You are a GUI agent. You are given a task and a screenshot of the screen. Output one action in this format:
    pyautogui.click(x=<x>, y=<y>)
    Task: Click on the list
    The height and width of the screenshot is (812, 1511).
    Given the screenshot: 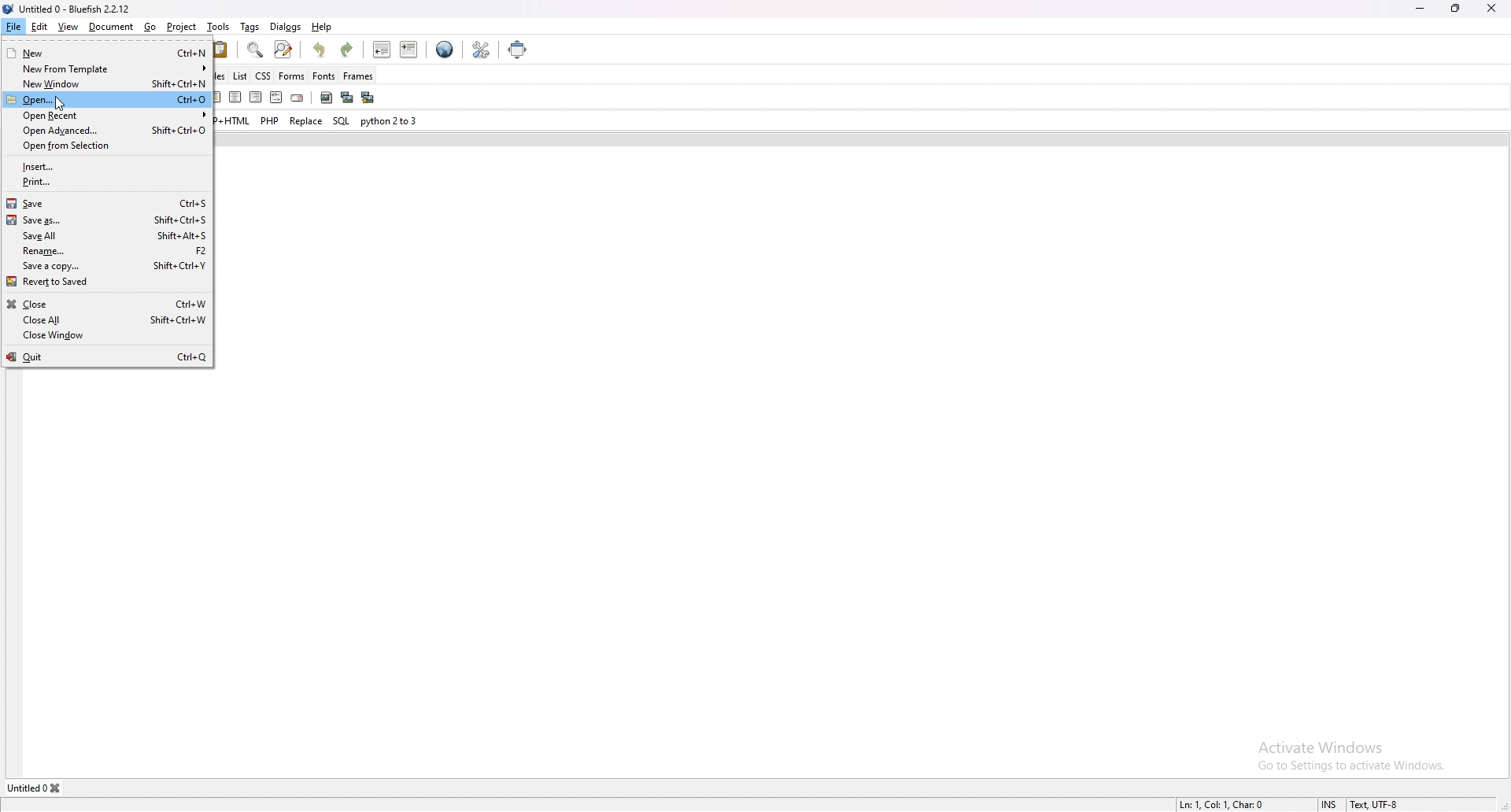 What is the action you would take?
    pyautogui.click(x=241, y=76)
    